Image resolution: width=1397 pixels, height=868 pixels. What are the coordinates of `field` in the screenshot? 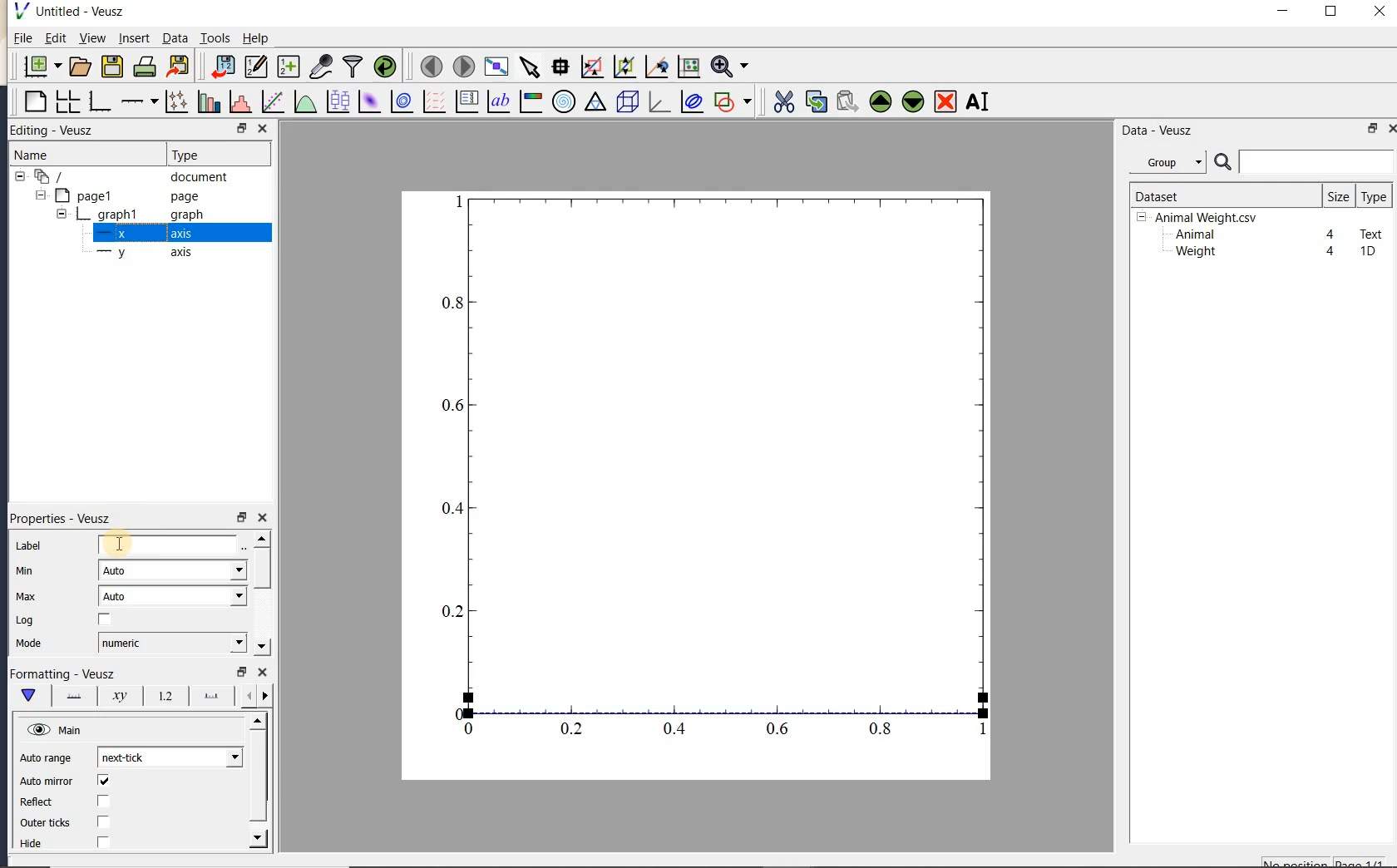 It's located at (170, 546).